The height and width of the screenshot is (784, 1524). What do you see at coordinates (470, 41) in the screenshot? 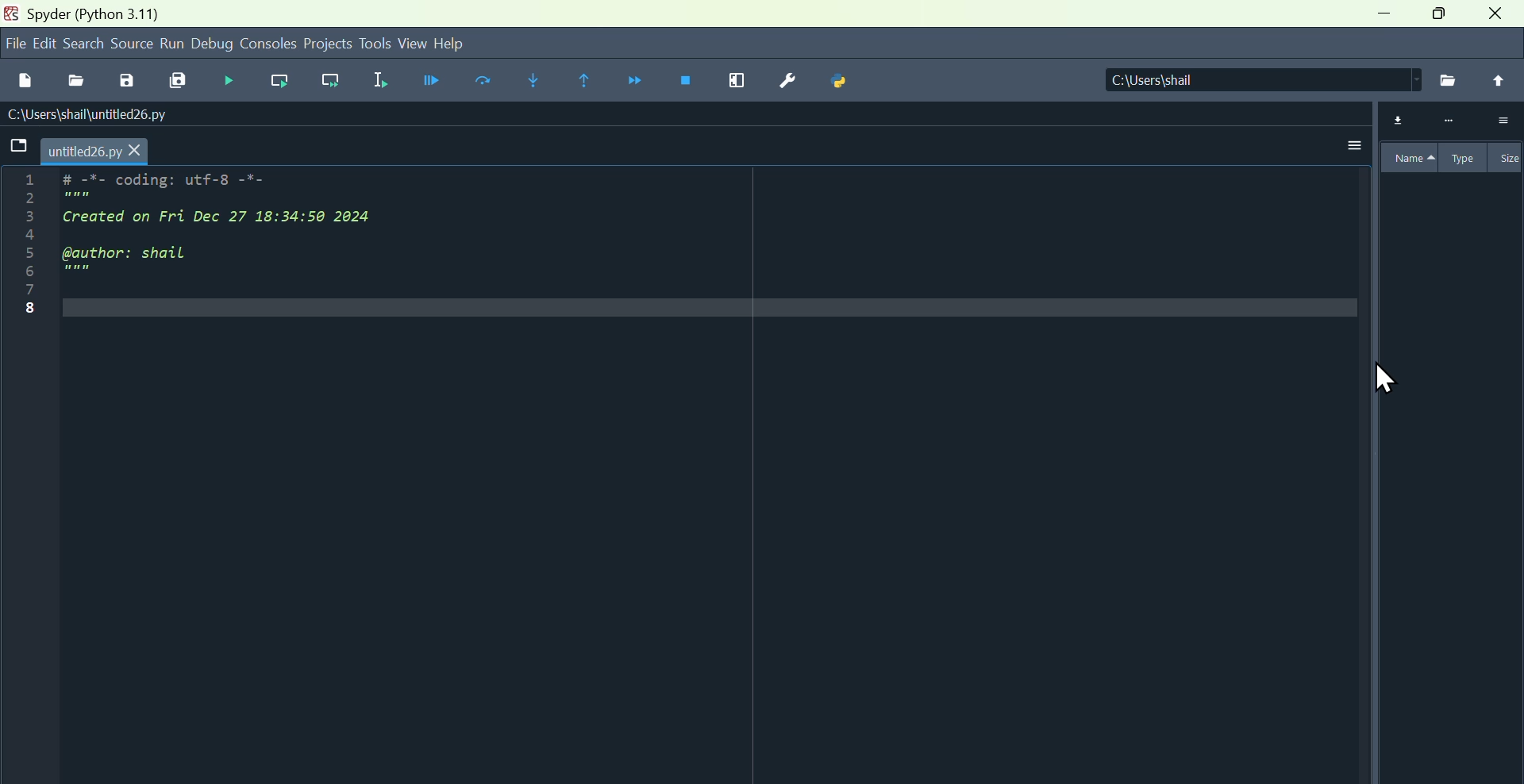
I see `help` at bounding box center [470, 41].